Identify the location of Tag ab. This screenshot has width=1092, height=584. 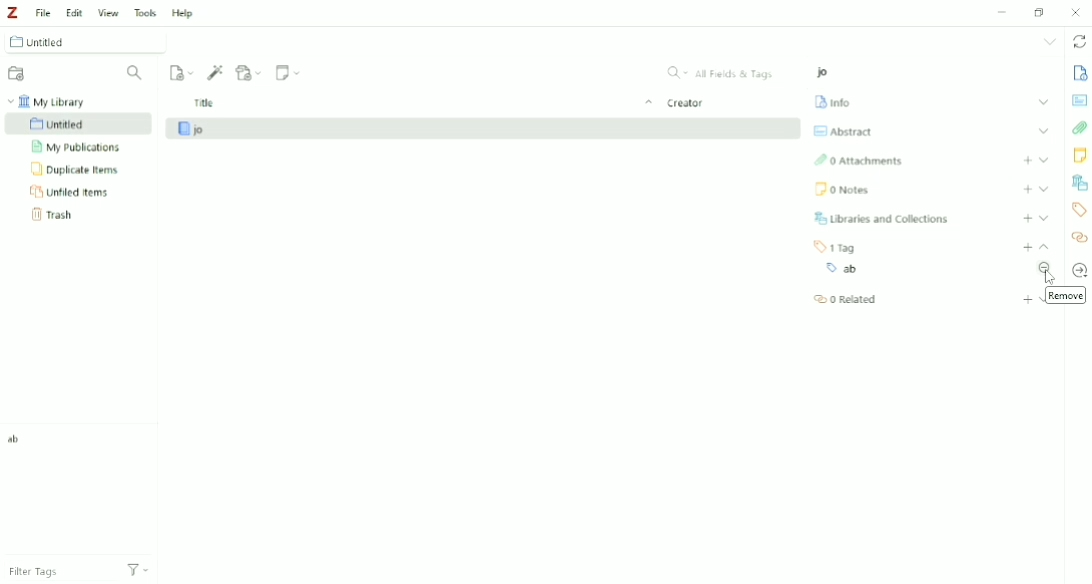
(842, 268).